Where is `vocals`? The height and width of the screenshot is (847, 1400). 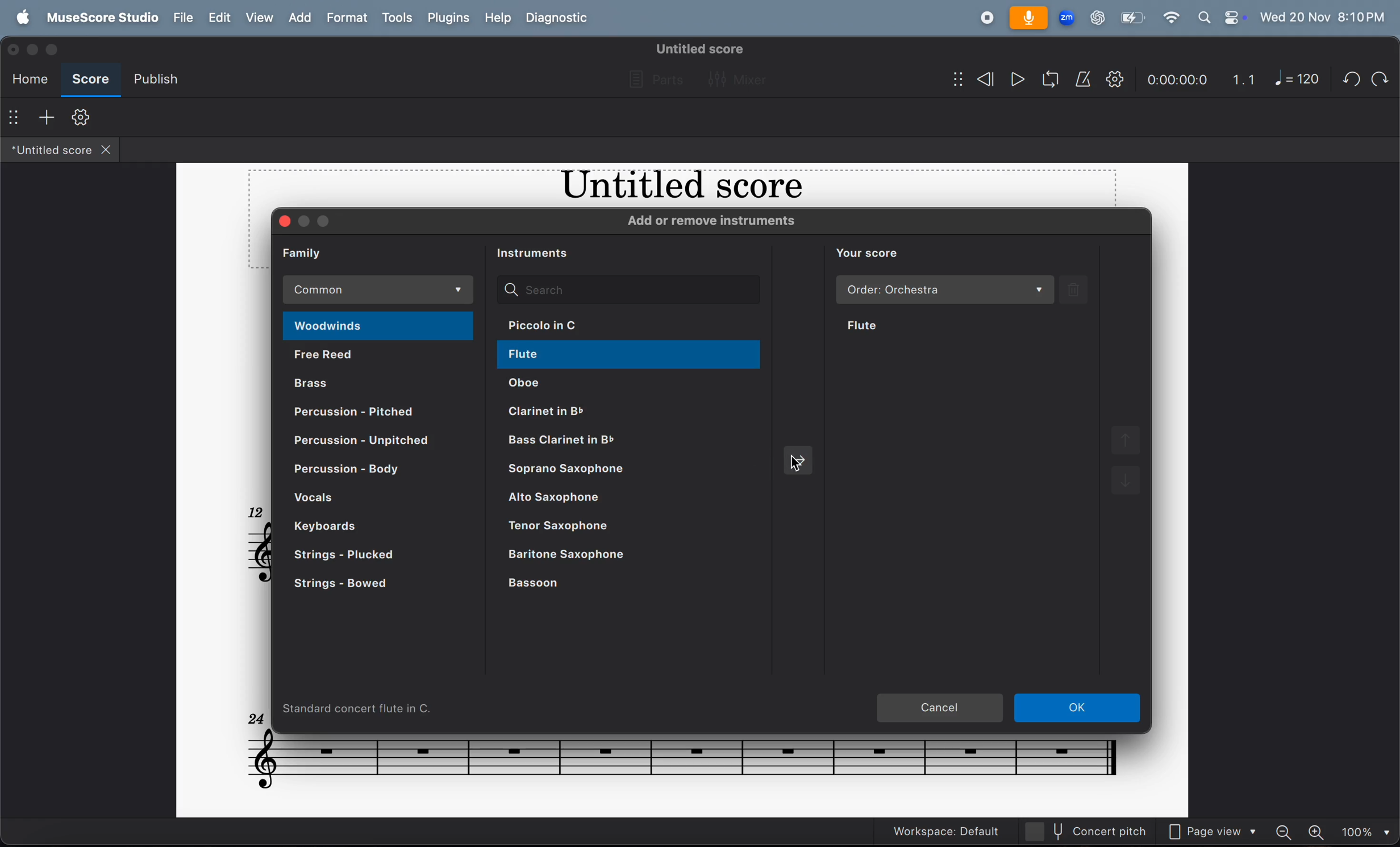
vocals is located at coordinates (369, 499).